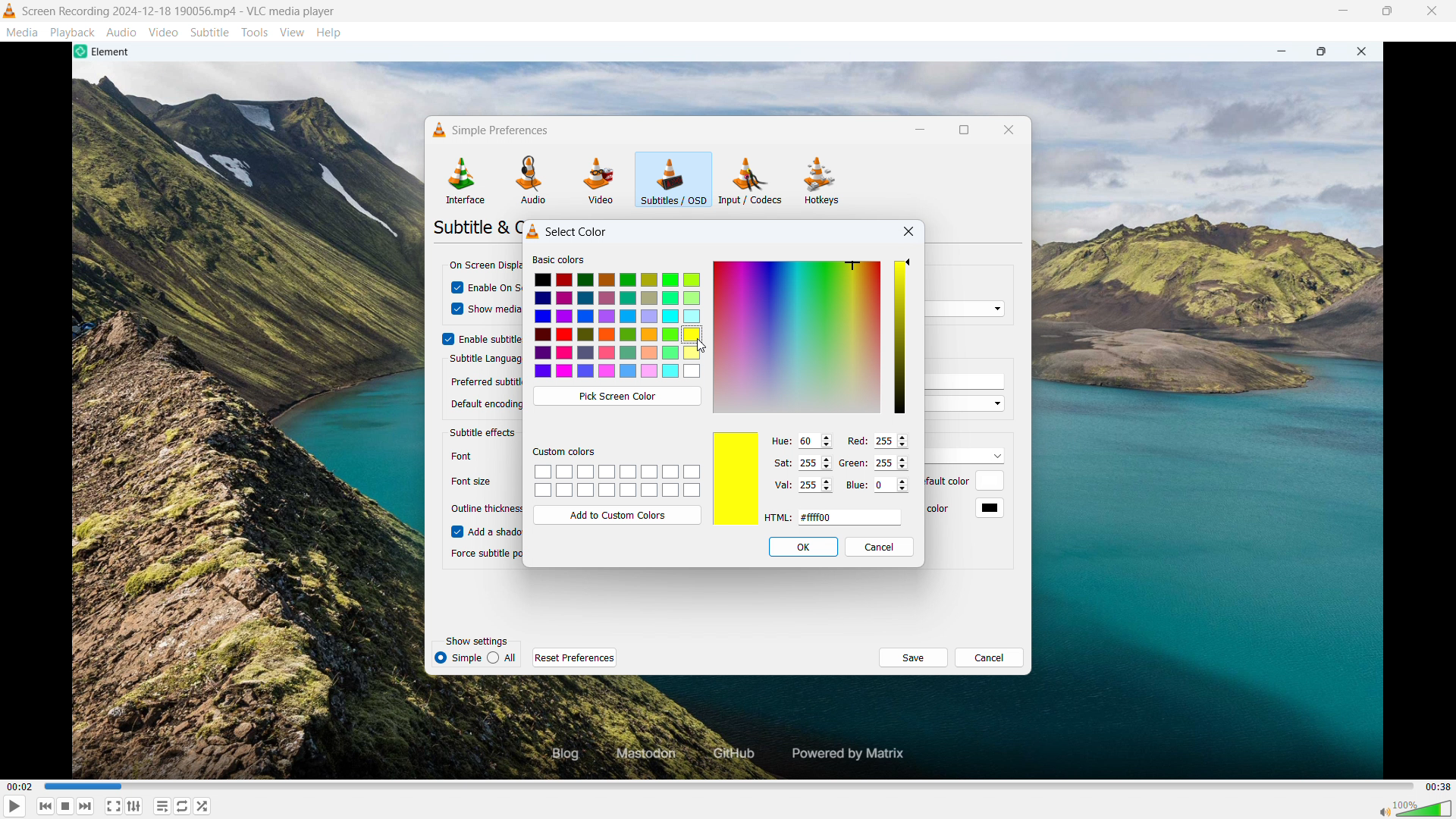 This screenshot has width=1456, height=819. Describe the element at coordinates (1438, 787) in the screenshot. I see `Video duration ` at that location.